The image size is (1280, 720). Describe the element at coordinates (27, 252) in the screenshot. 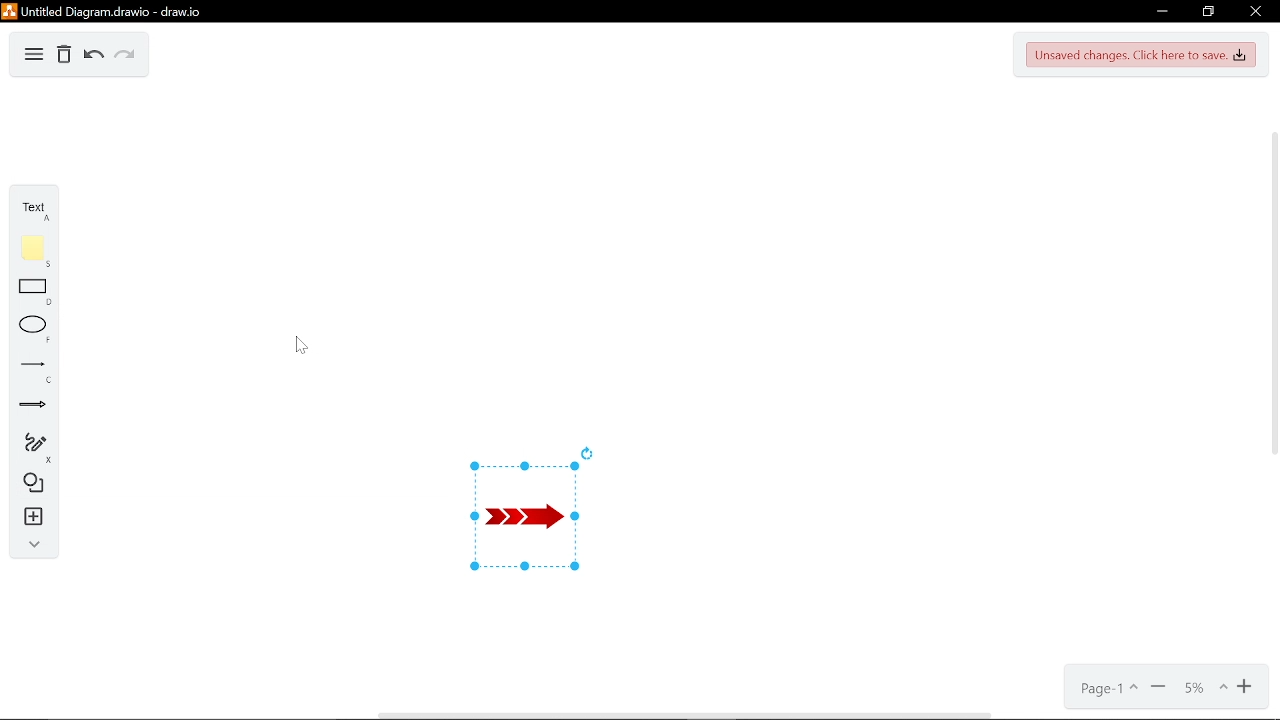

I see `Note` at that location.